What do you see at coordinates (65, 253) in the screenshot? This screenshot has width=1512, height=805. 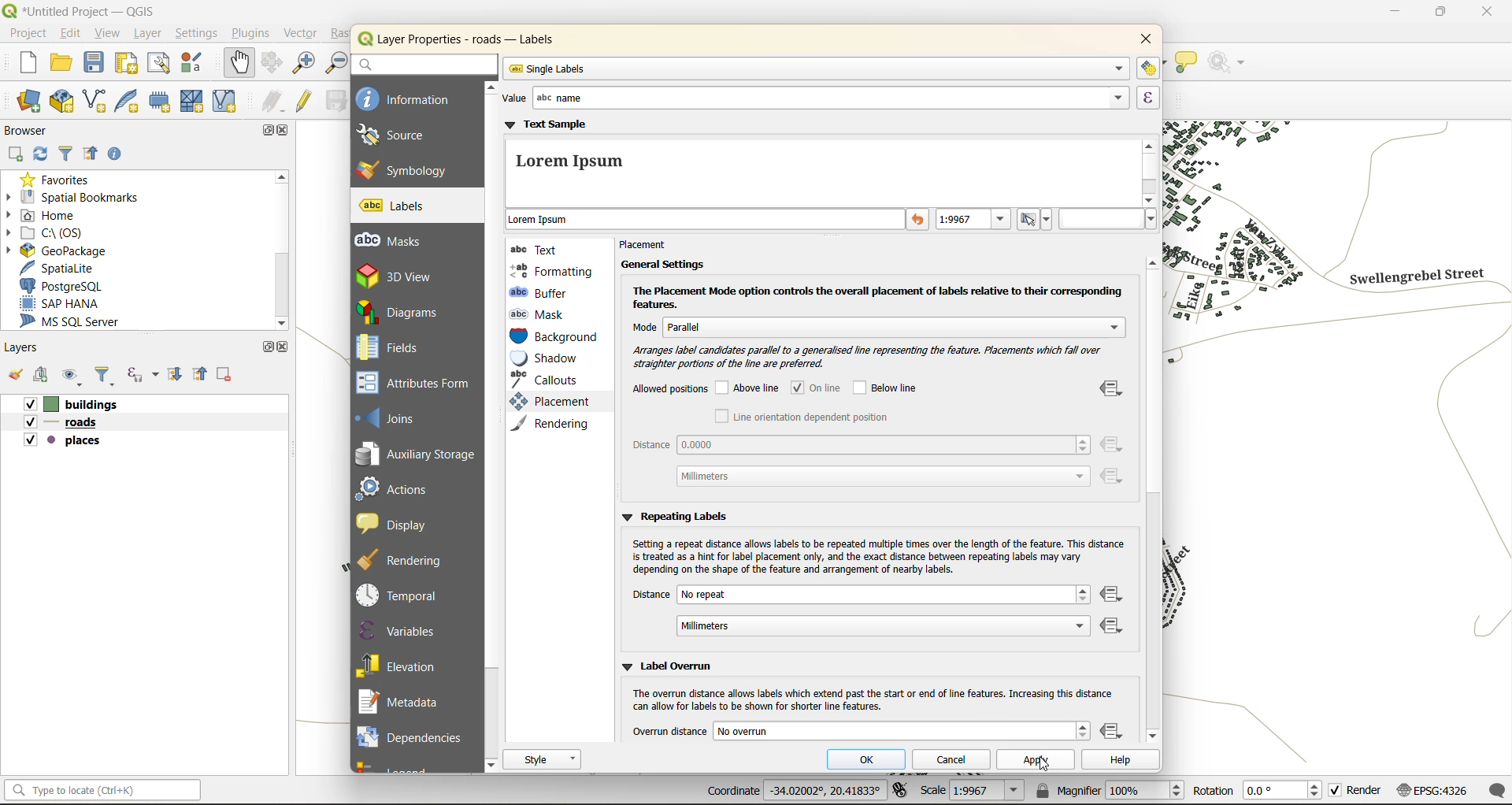 I see `geopackage` at bounding box center [65, 253].